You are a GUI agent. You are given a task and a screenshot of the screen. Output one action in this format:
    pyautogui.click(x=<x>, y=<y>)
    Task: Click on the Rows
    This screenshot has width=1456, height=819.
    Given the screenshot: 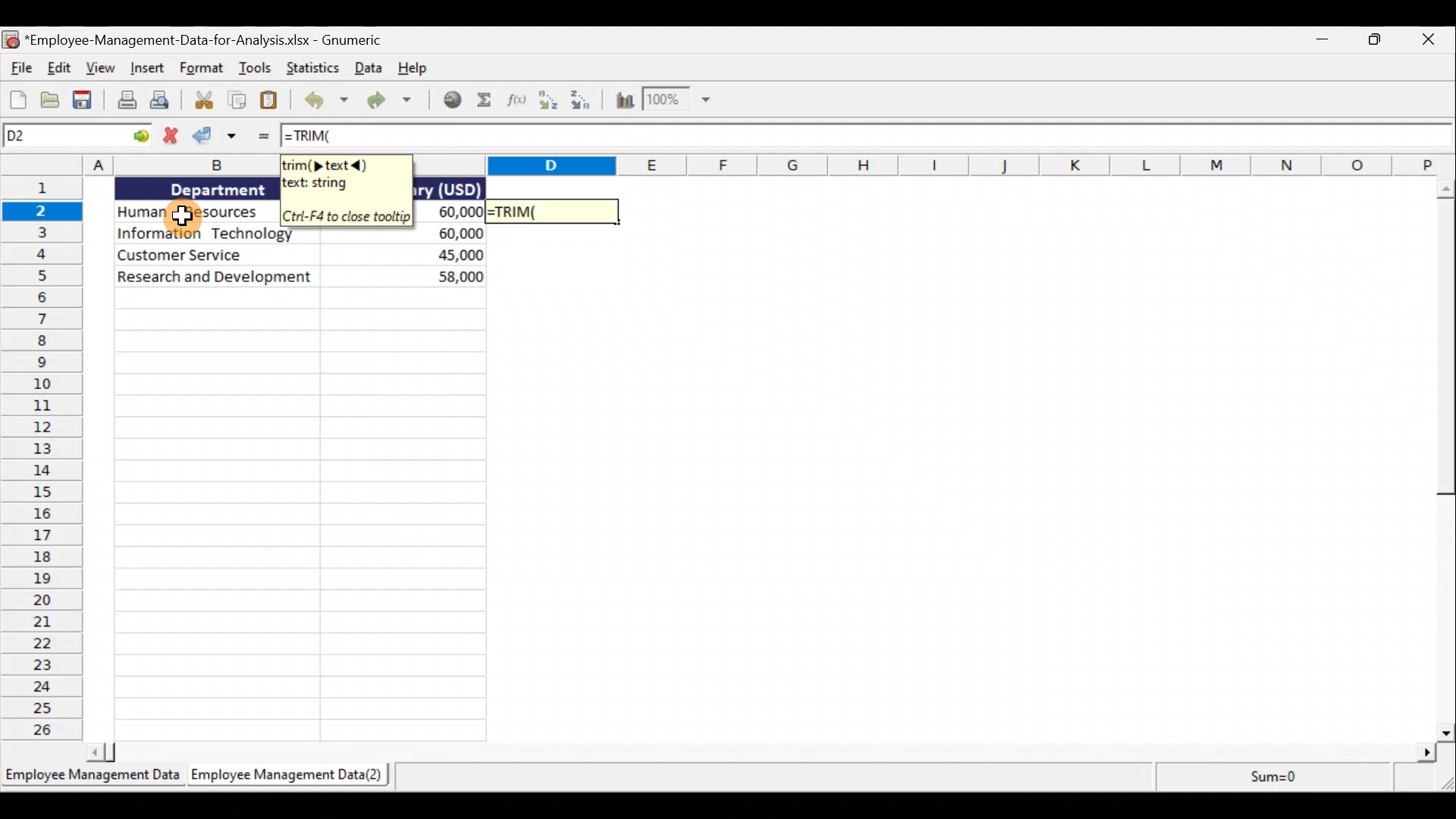 What is the action you would take?
    pyautogui.click(x=41, y=459)
    